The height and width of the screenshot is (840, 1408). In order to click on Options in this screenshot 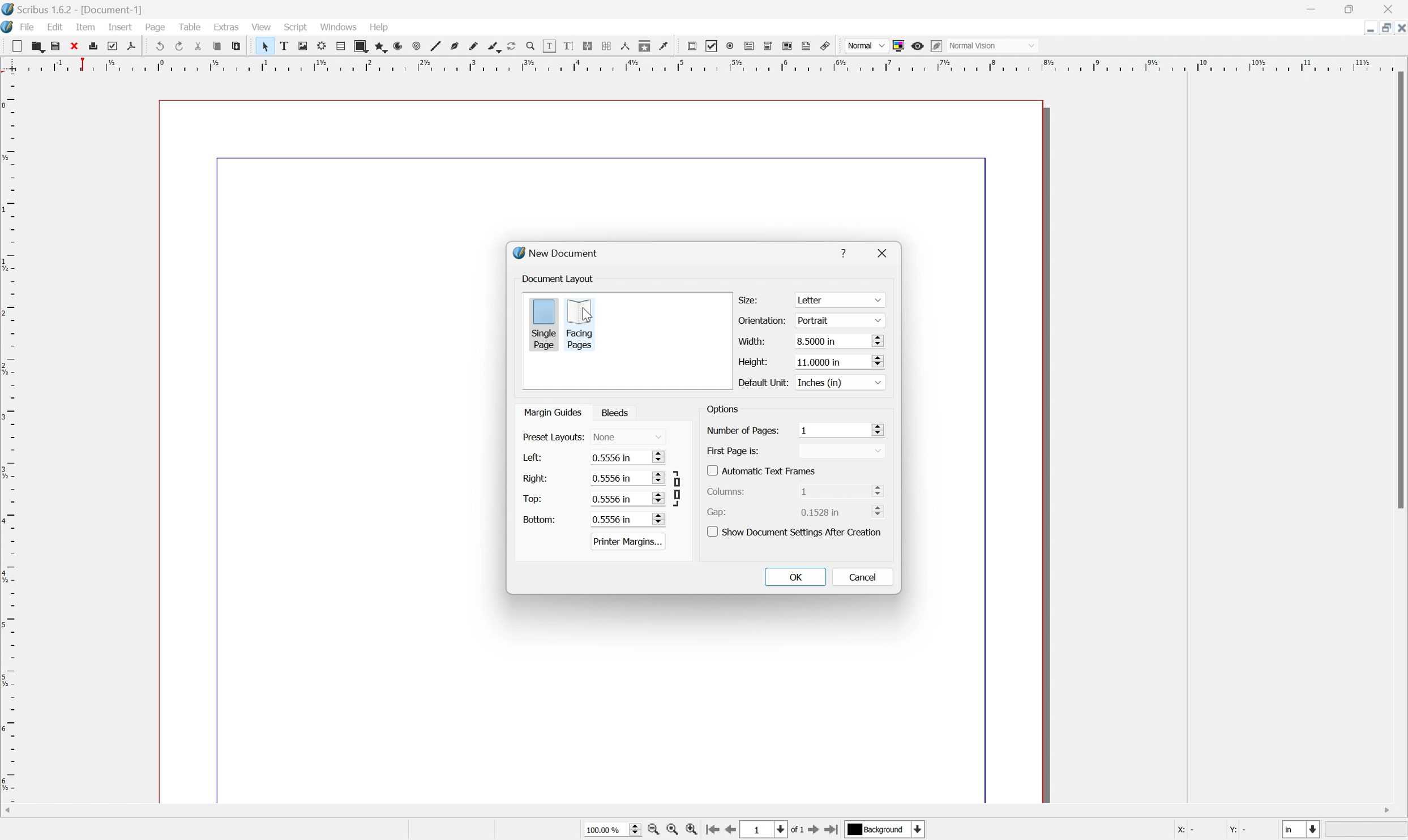, I will do `click(722, 411)`.